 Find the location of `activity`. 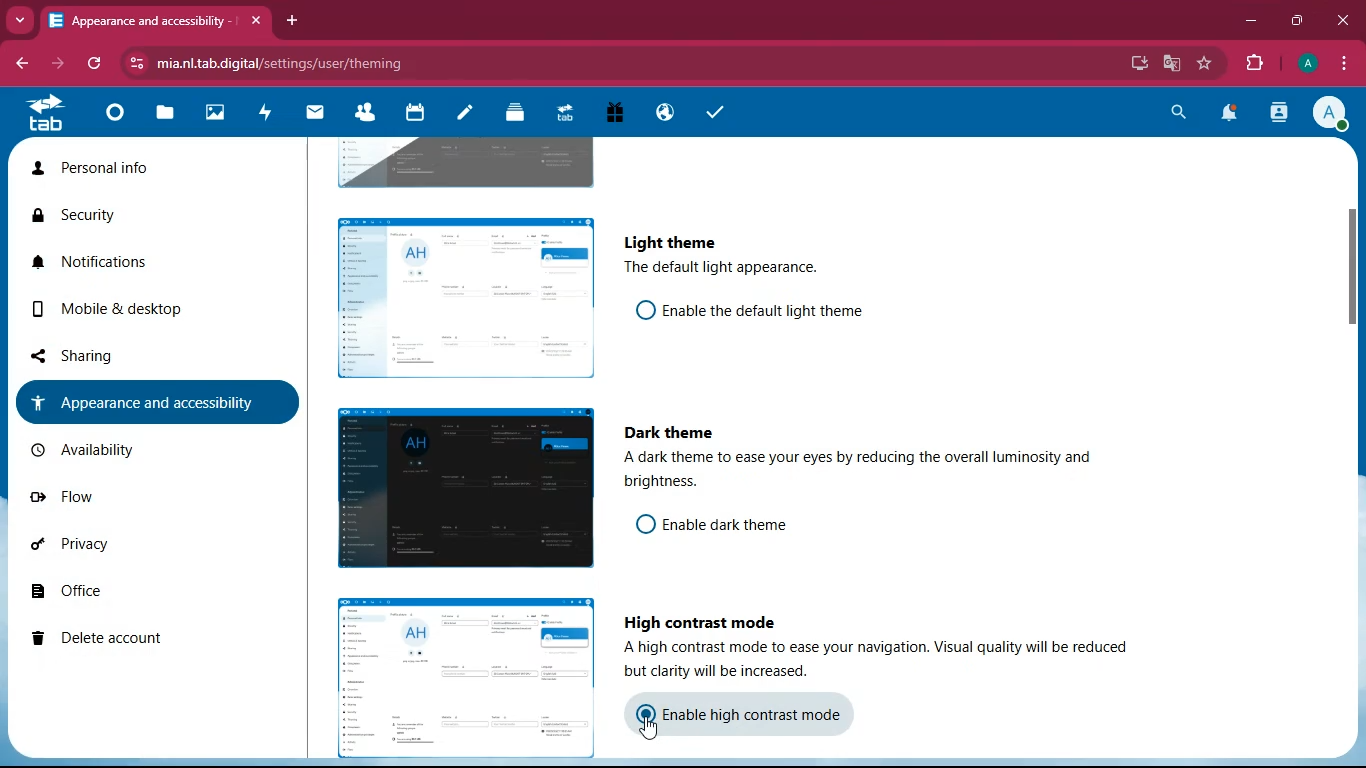

activity is located at coordinates (1281, 115).